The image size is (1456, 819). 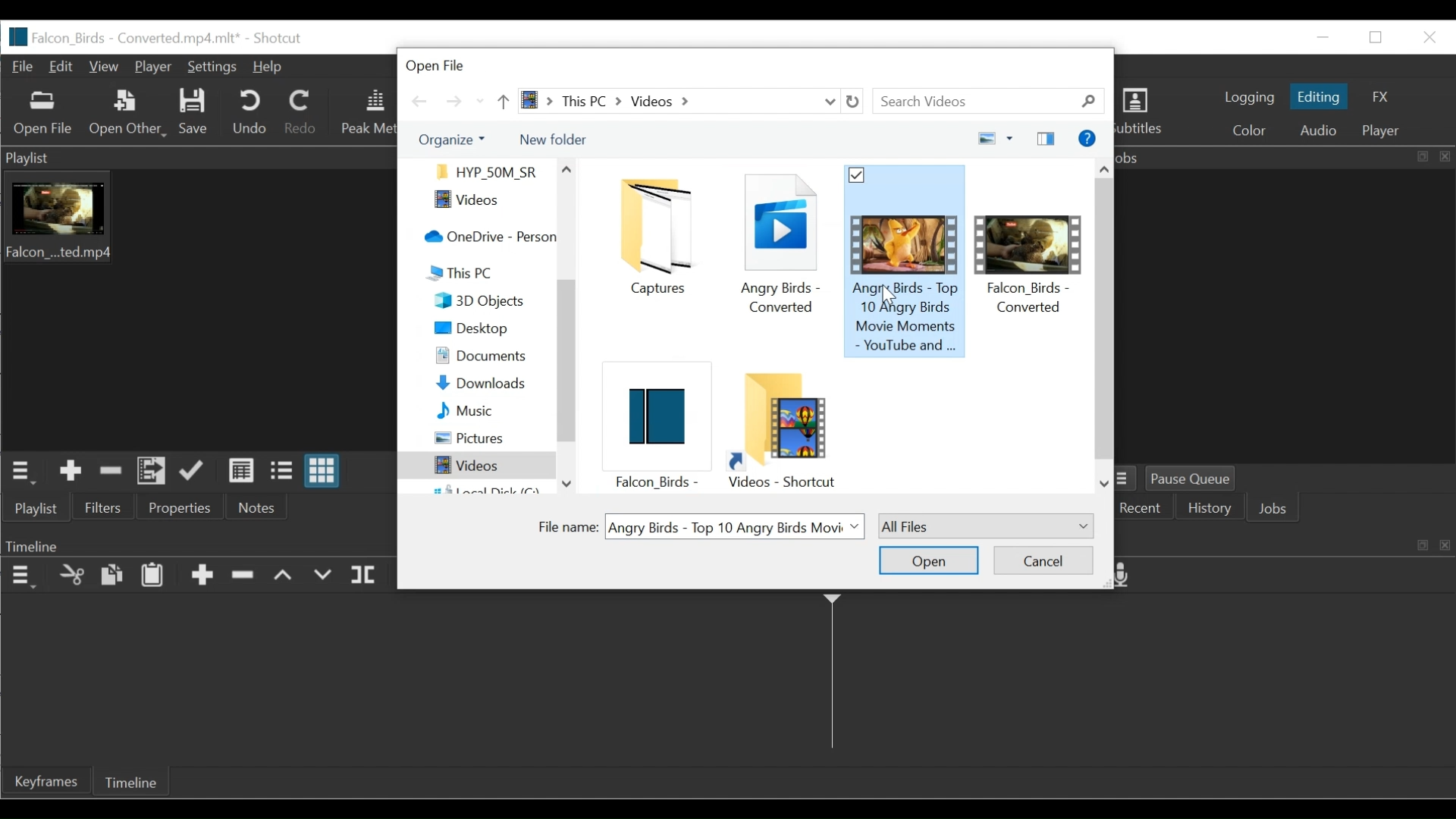 What do you see at coordinates (485, 488) in the screenshot?
I see `local Disk (C:)` at bounding box center [485, 488].